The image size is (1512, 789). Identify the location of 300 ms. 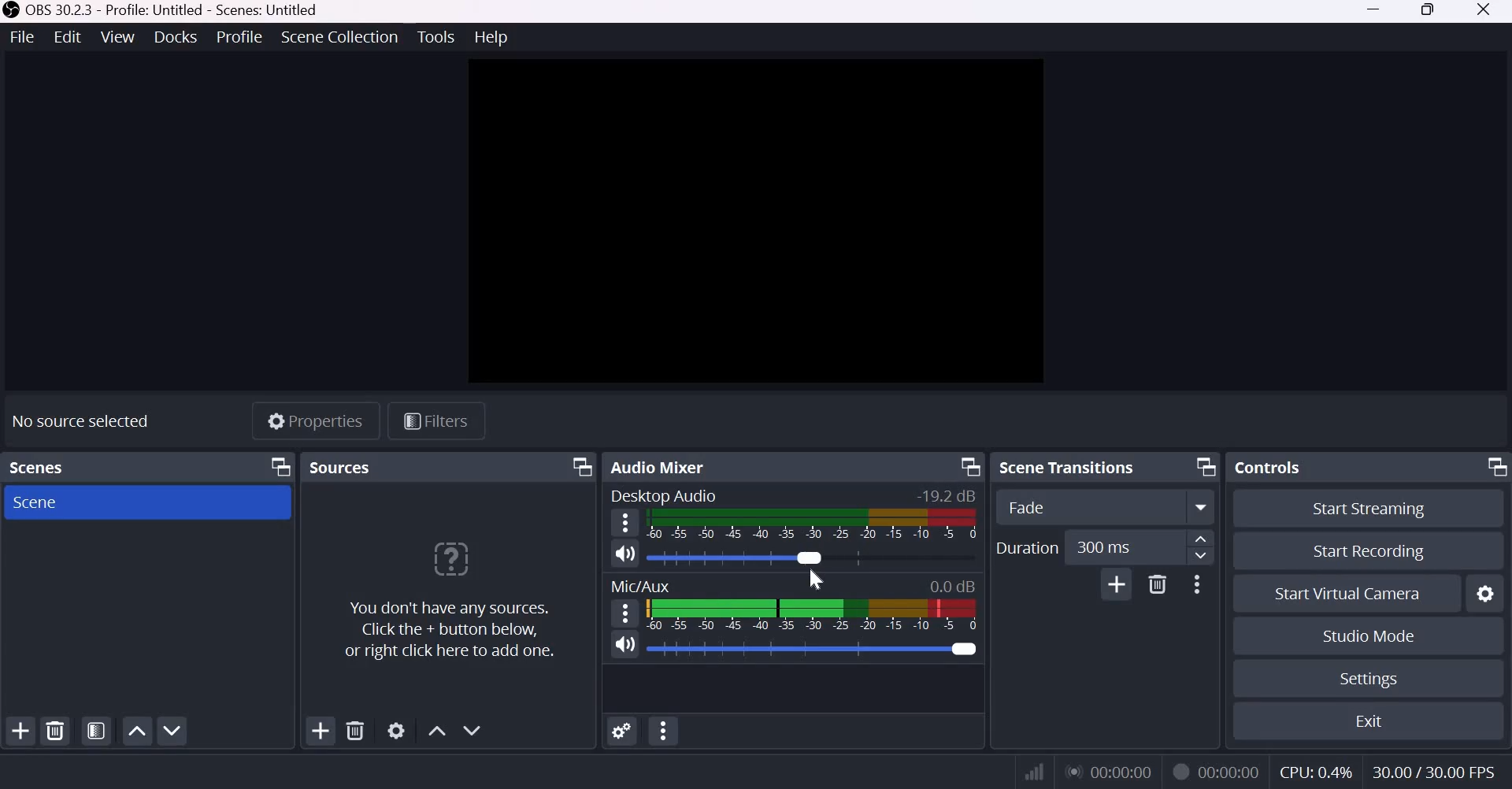
(1124, 548).